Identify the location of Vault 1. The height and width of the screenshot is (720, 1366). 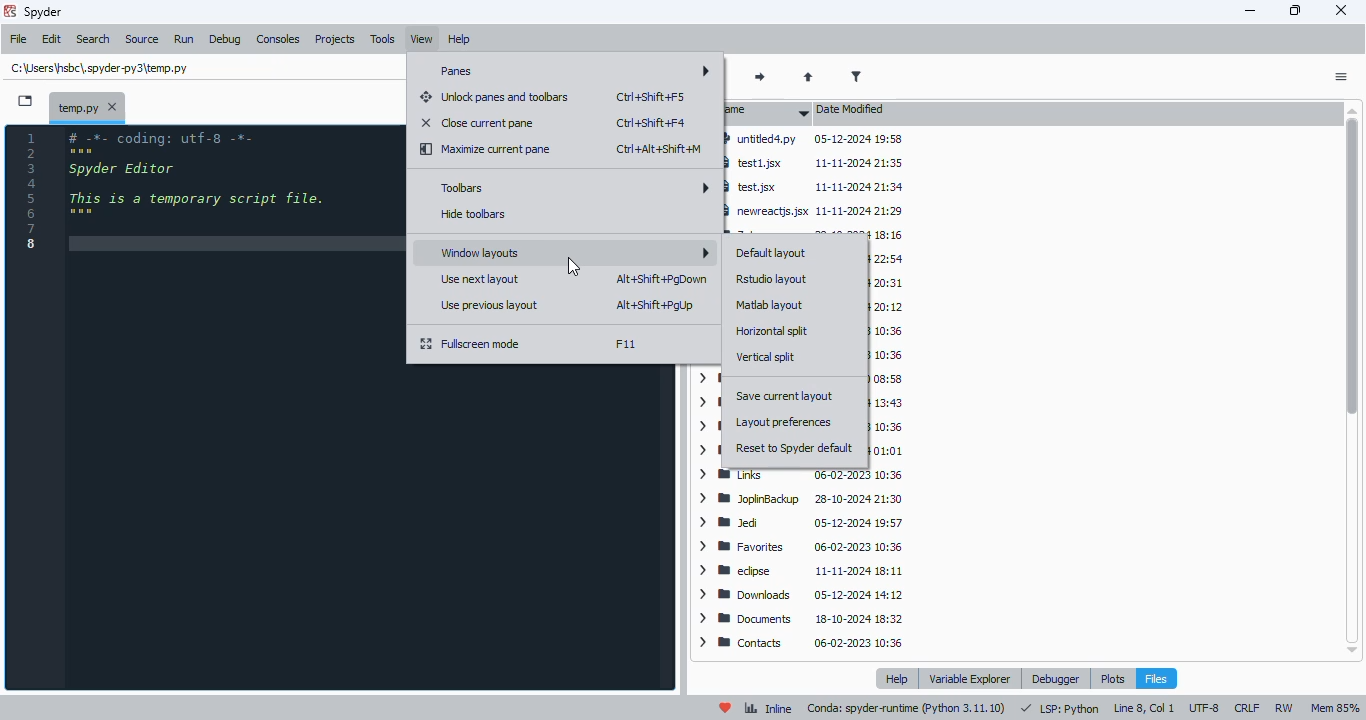
(885, 306).